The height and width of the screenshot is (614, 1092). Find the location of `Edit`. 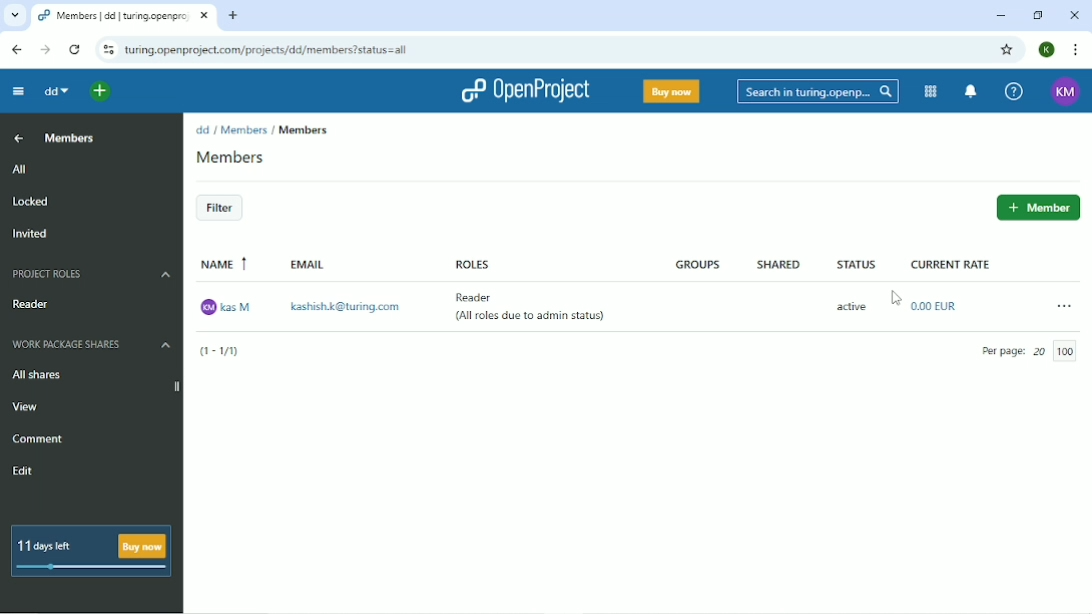

Edit is located at coordinates (25, 472).